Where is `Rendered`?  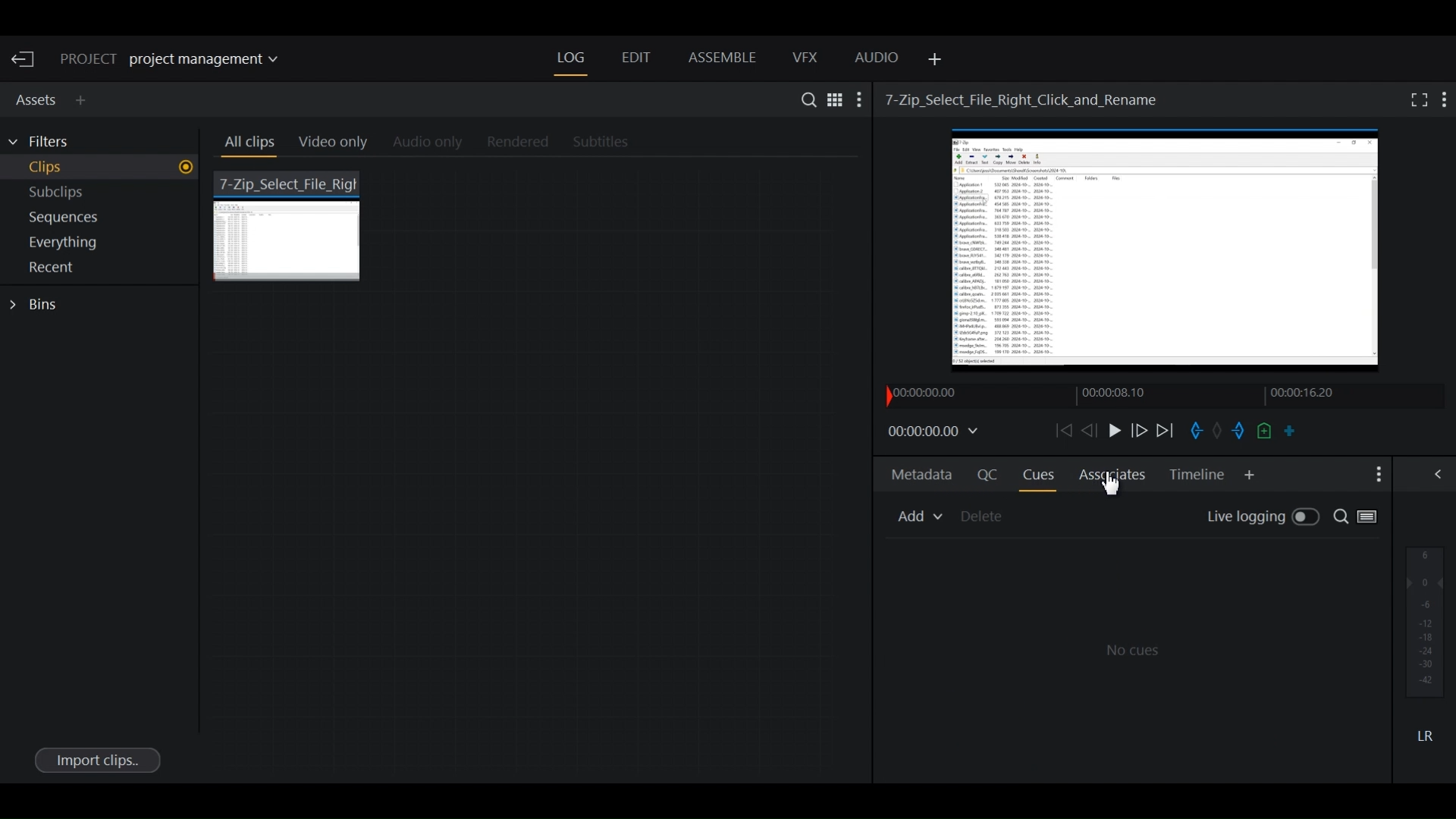
Rendered is located at coordinates (513, 143).